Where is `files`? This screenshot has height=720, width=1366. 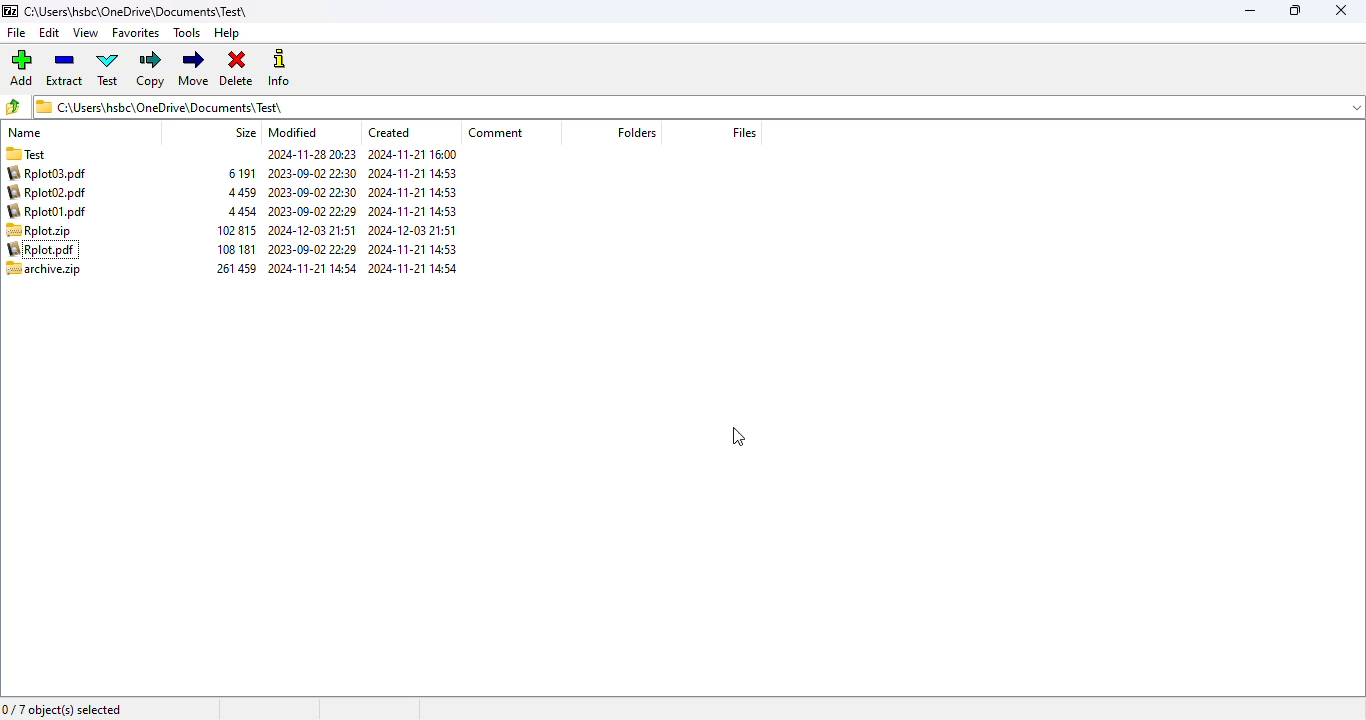 files is located at coordinates (744, 132).